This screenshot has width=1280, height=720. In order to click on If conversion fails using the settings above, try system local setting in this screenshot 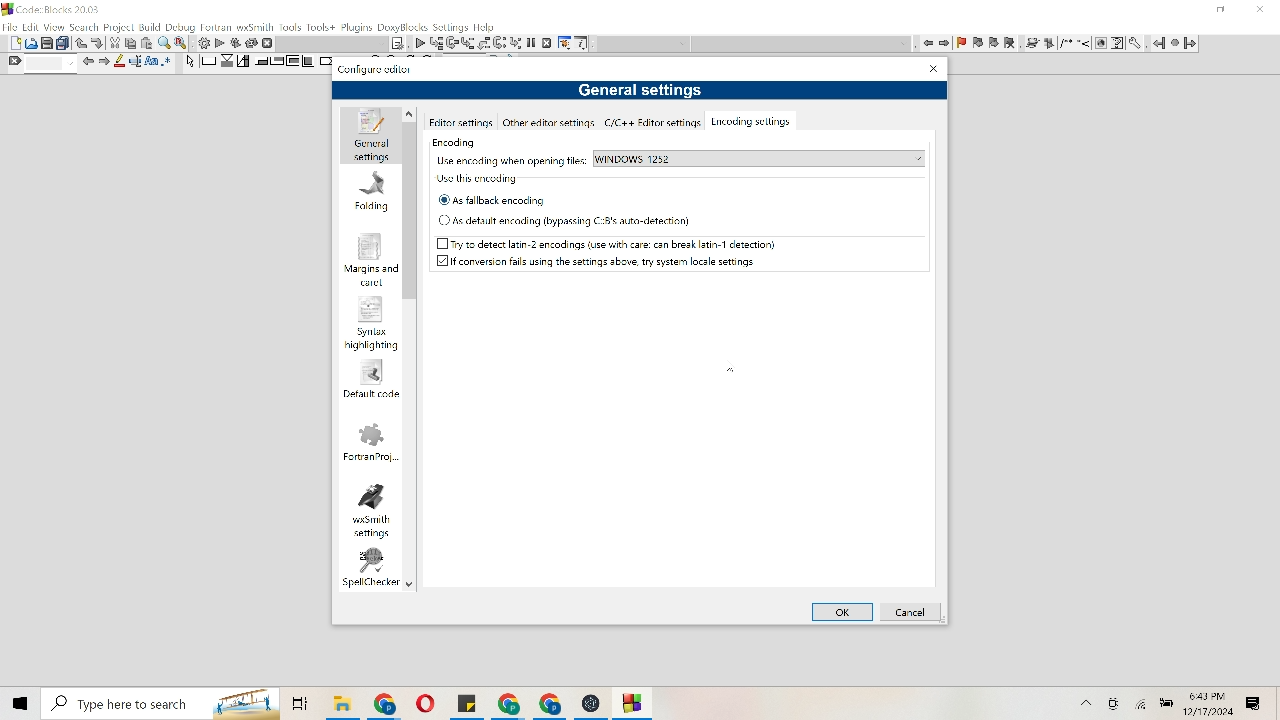, I will do `click(605, 262)`.